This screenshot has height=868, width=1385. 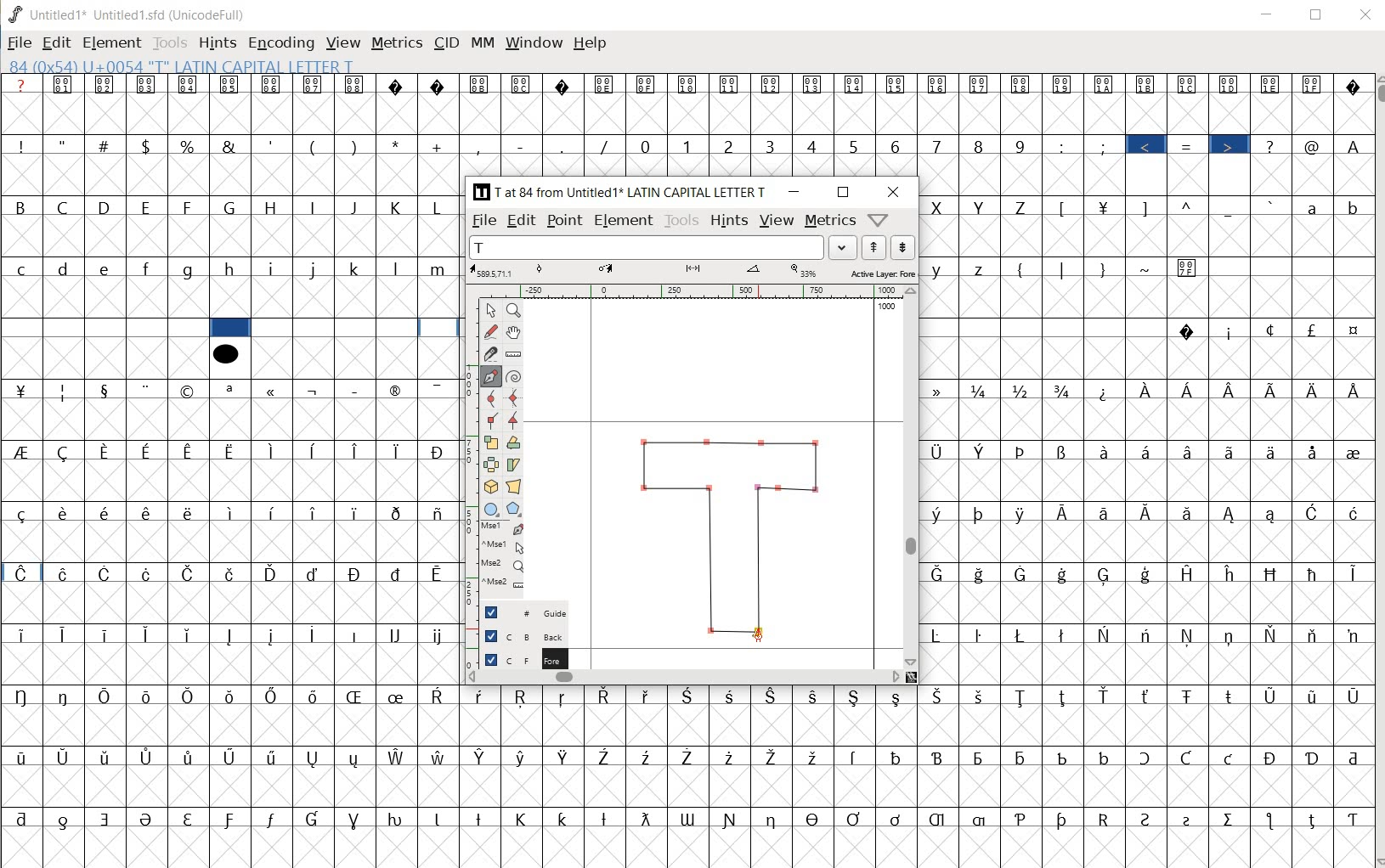 What do you see at coordinates (314, 573) in the screenshot?
I see `Symbol` at bounding box center [314, 573].